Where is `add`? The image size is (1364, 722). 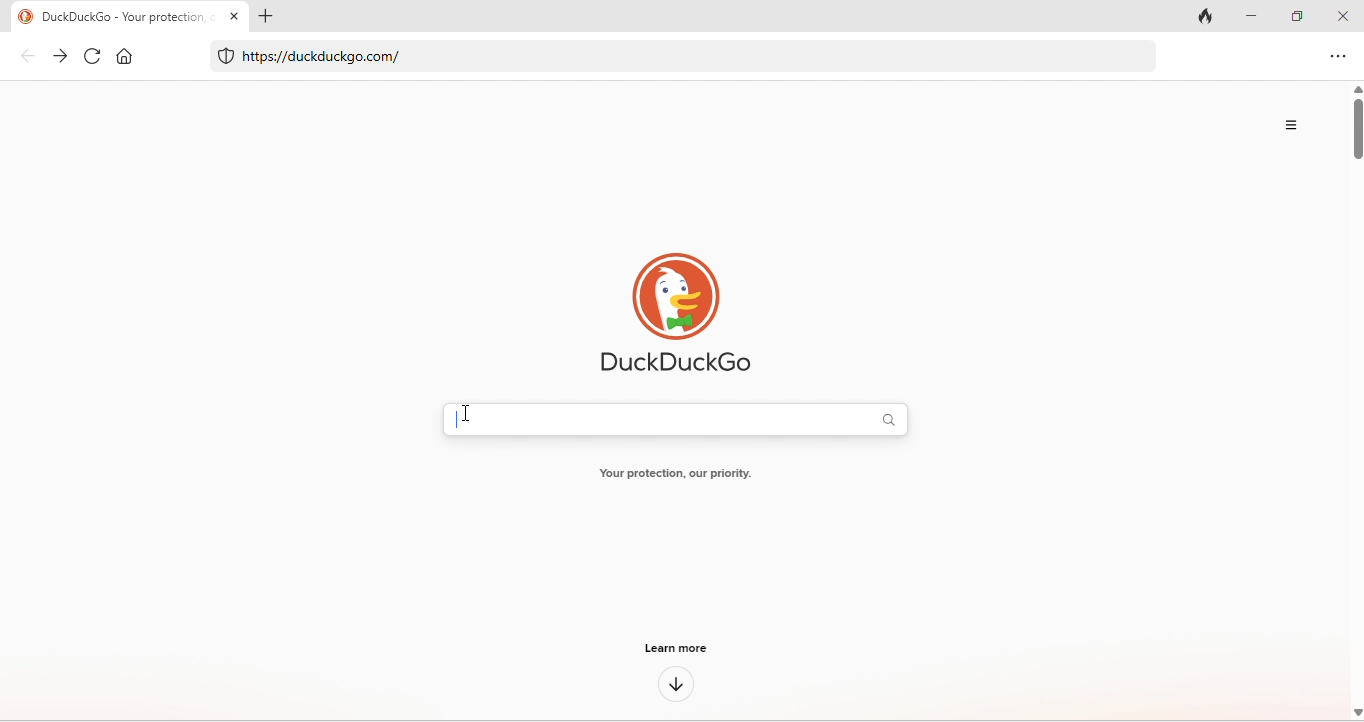
add is located at coordinates (272, 17).